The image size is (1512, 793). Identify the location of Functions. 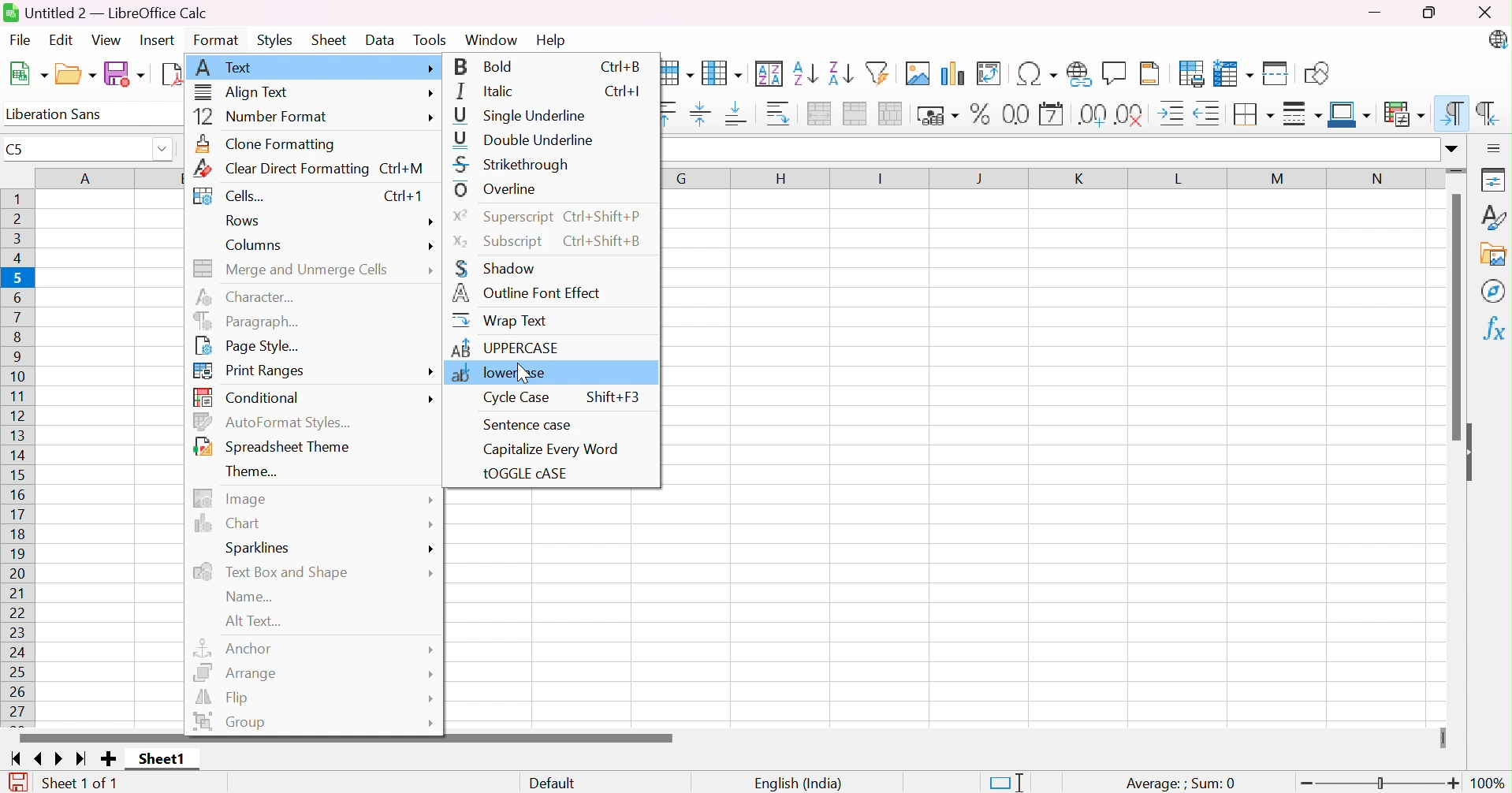
(1496, 329).